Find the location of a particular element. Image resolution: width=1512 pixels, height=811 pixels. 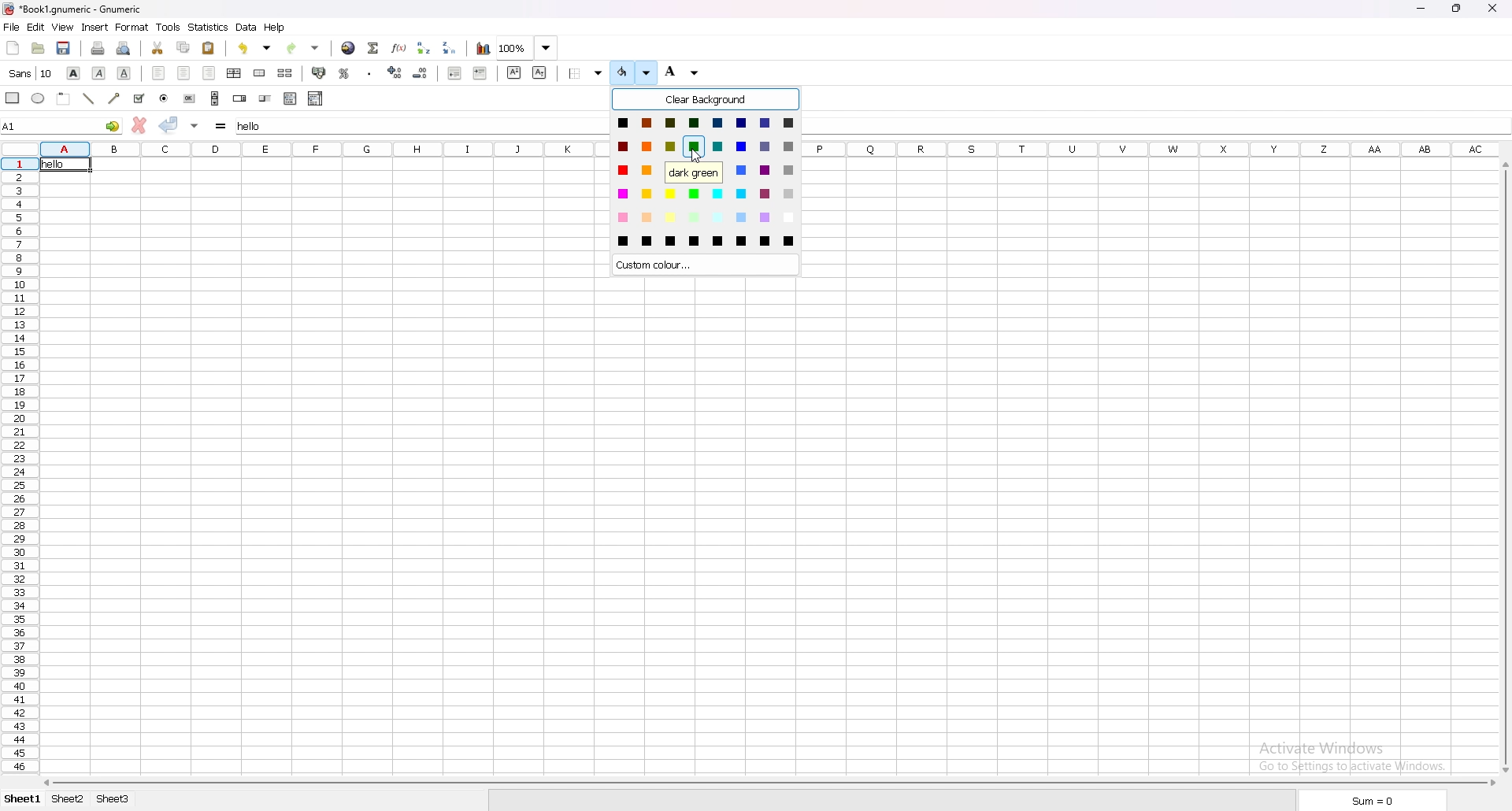

columns is located at coordinates (323, 148).